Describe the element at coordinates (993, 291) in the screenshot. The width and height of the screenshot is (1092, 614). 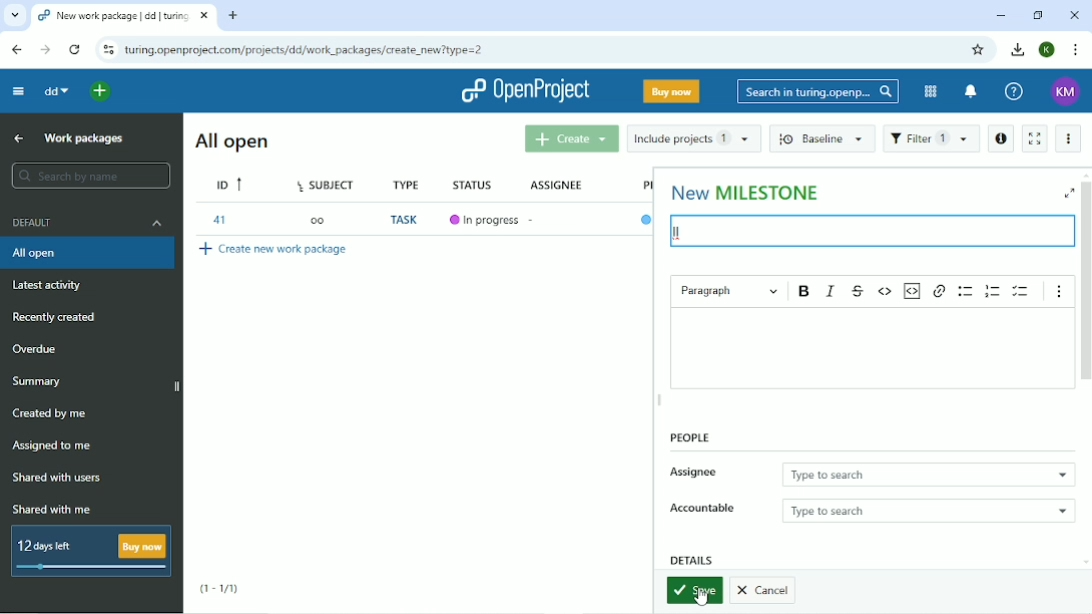
I see `Numbered list` at that location.